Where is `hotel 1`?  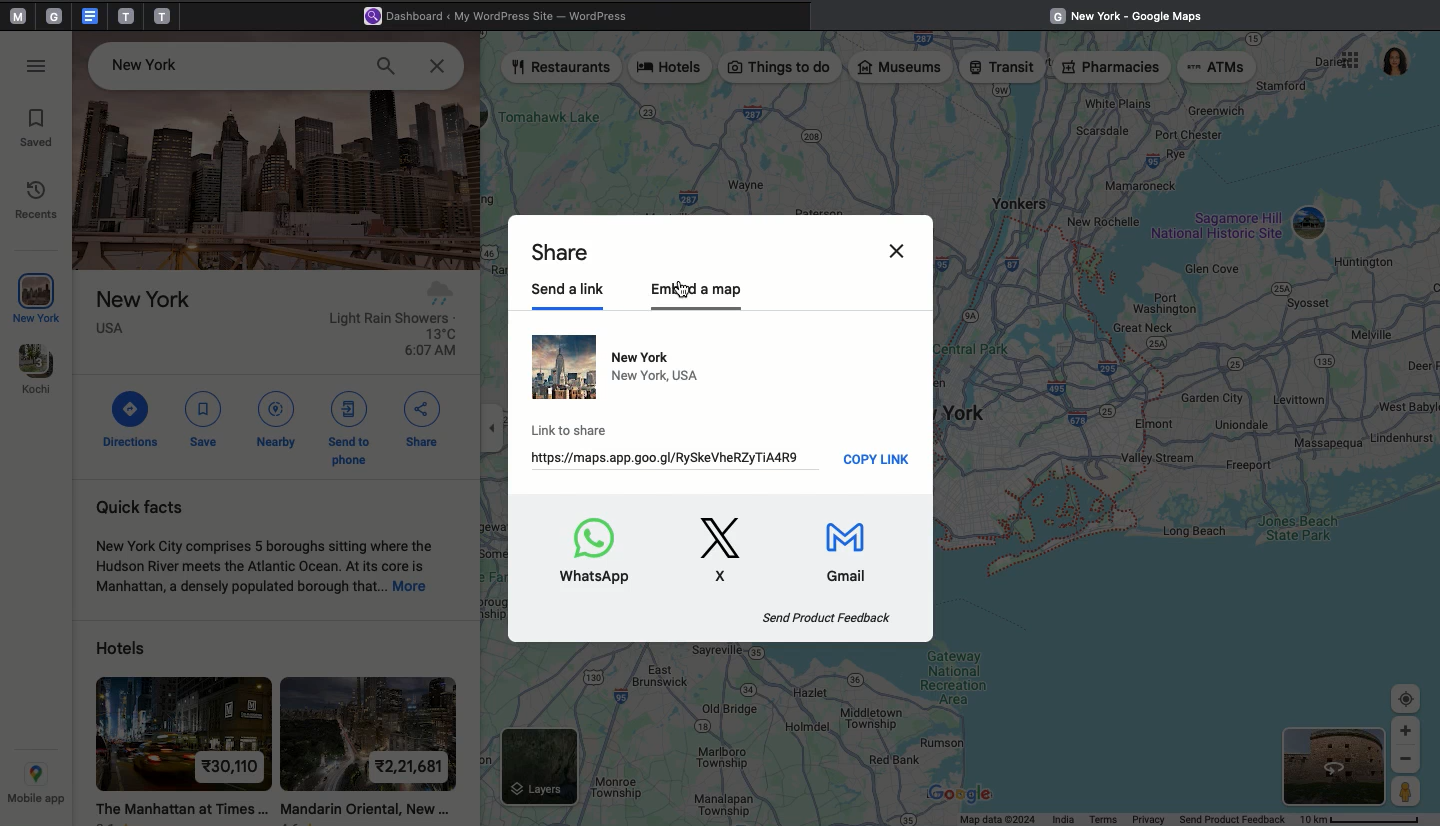 hotel 1 is located at coordinates (183, 741).